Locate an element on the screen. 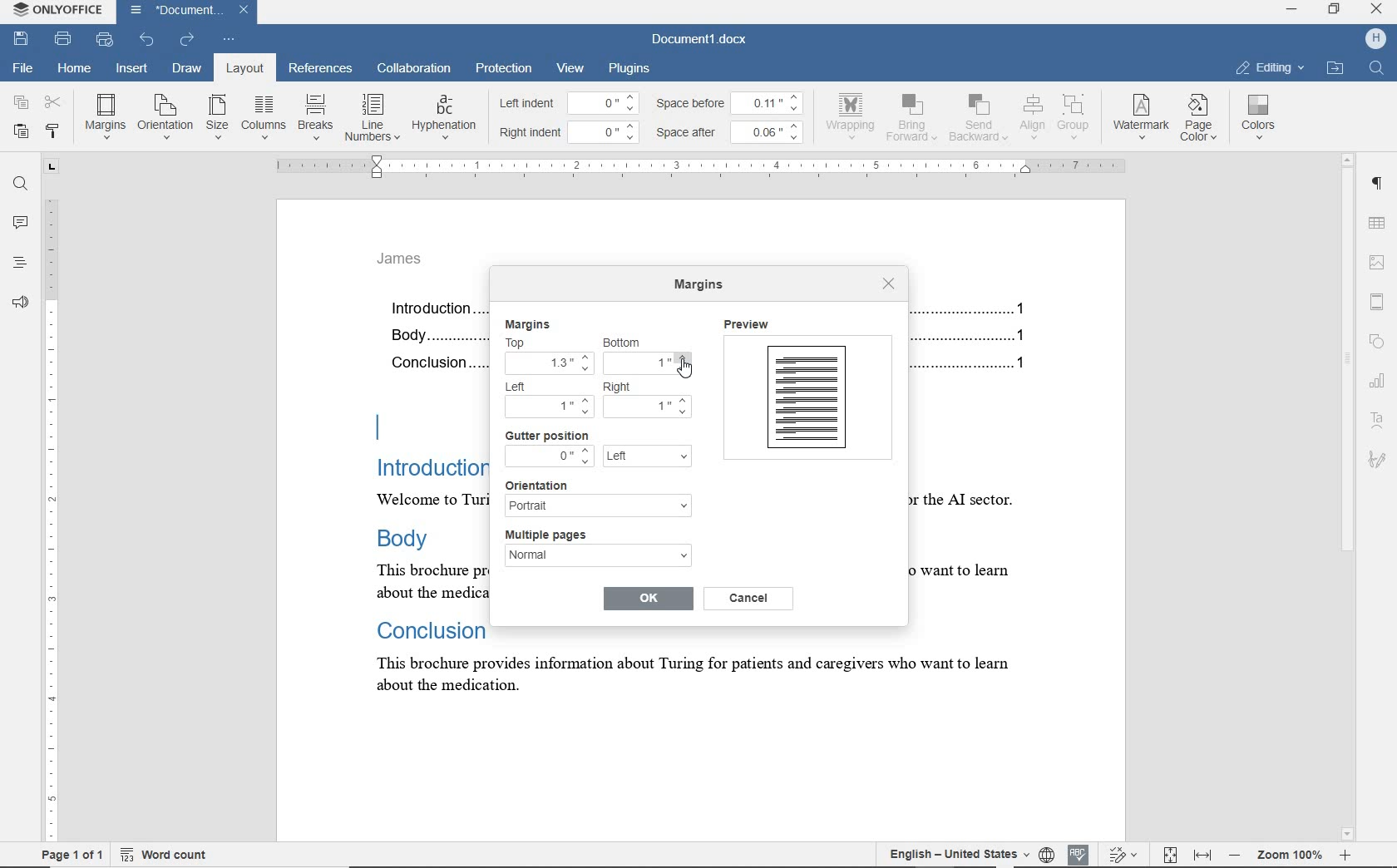  profile is located at coordinates (1364, 40).